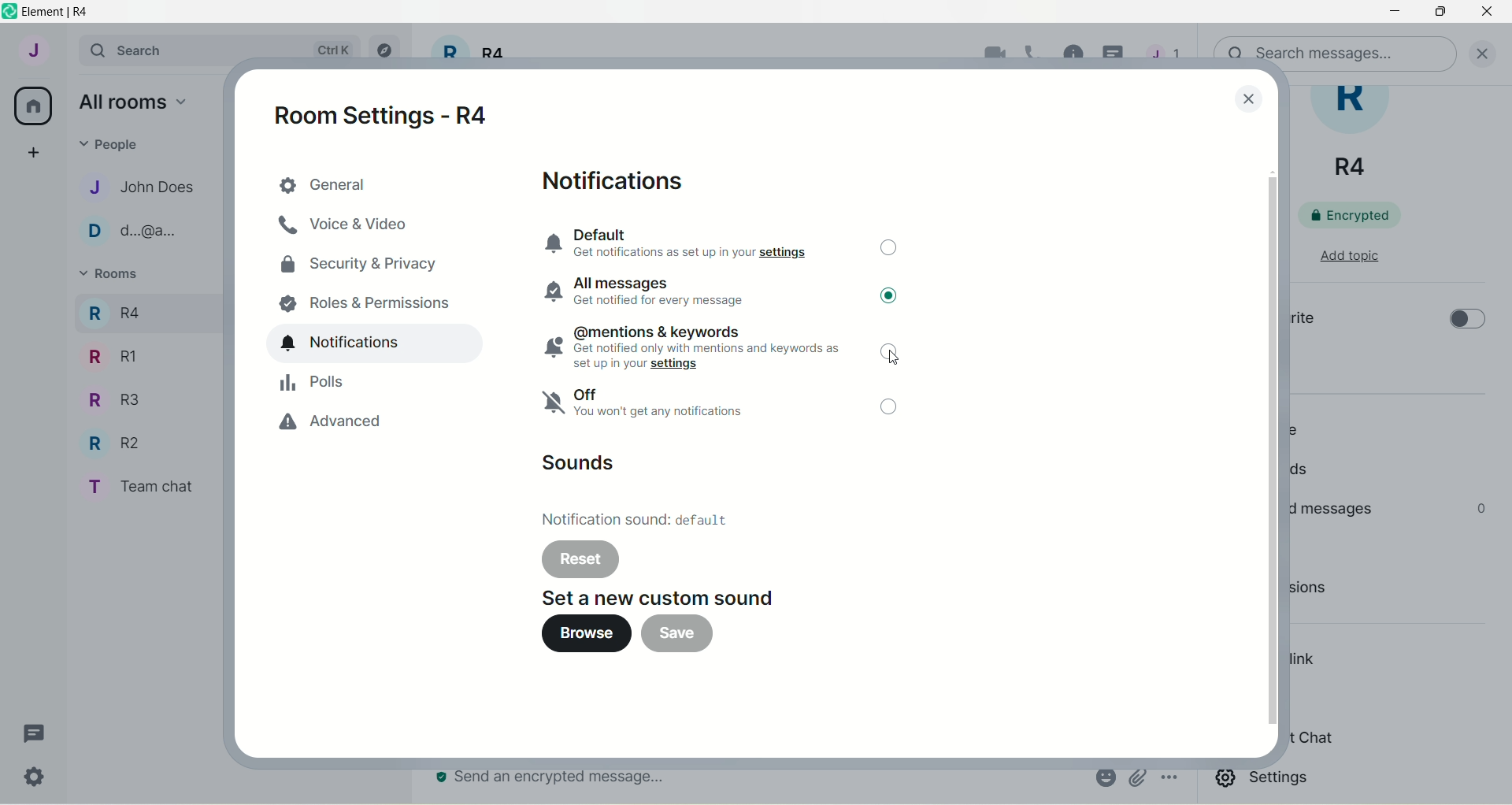 The image size is (1512, 805). What do you see at coordinates (368, 227) in the screenshot?
I see `Voice & Video` at bounding box center [368, 227].